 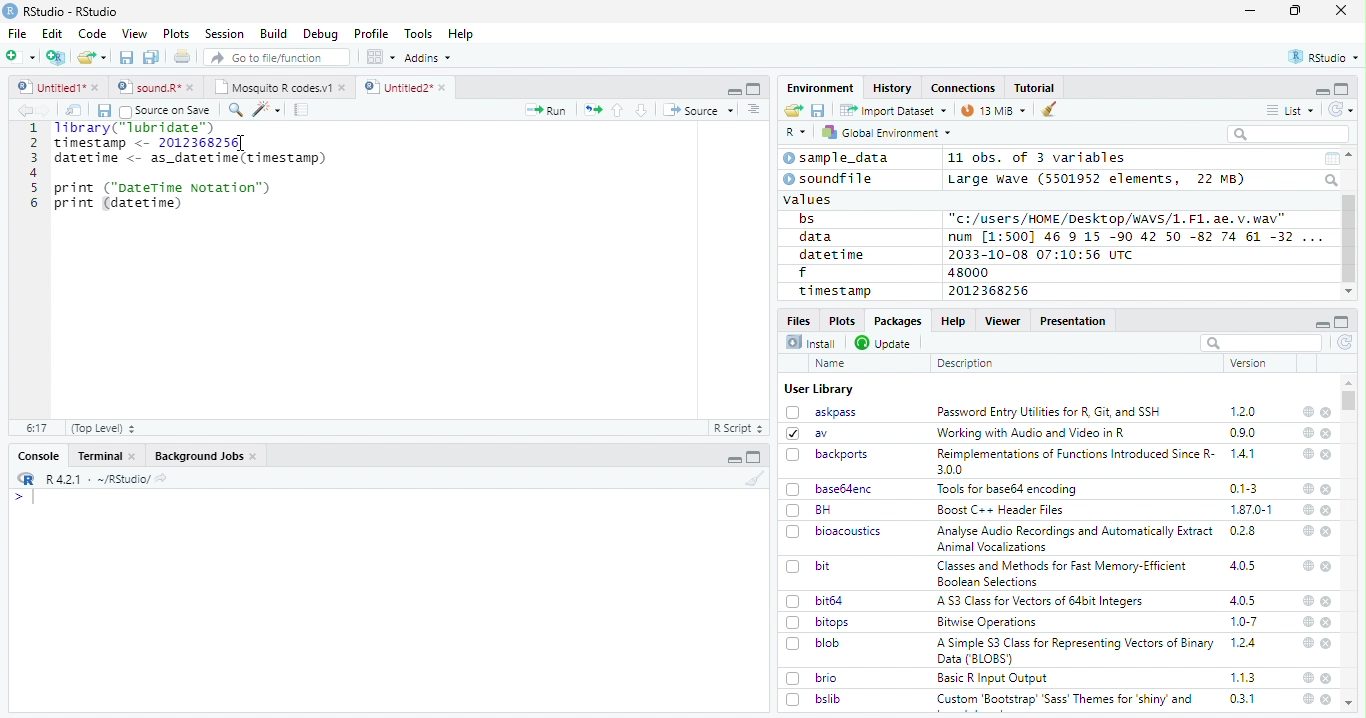 What do you see at coordinates (1009, 489) in the screenshot?
I see `Tools for baseb4 encoding` at bounding box center [1009, 489].